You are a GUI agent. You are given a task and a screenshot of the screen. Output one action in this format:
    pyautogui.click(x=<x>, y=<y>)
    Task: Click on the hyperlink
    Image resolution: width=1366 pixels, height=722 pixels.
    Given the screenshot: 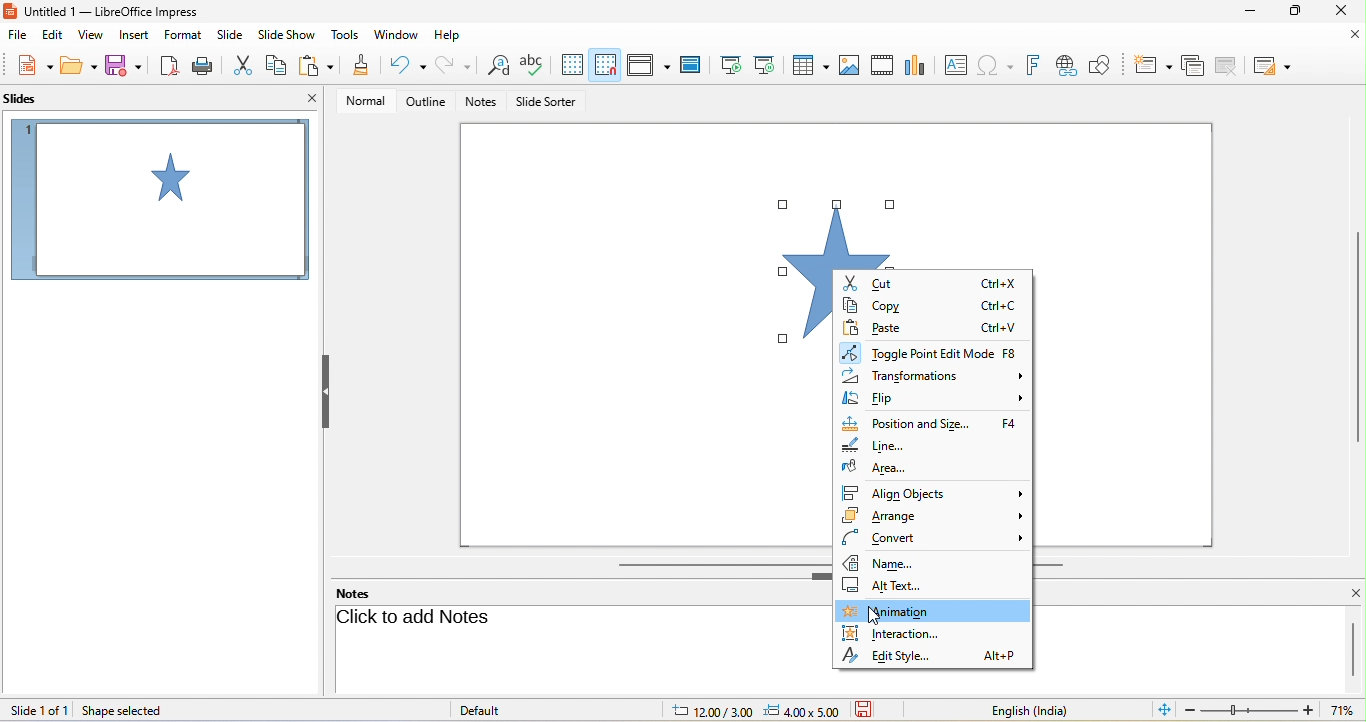 What is the action you would take?
    pyautogui.click(x=1066, y=65)
    